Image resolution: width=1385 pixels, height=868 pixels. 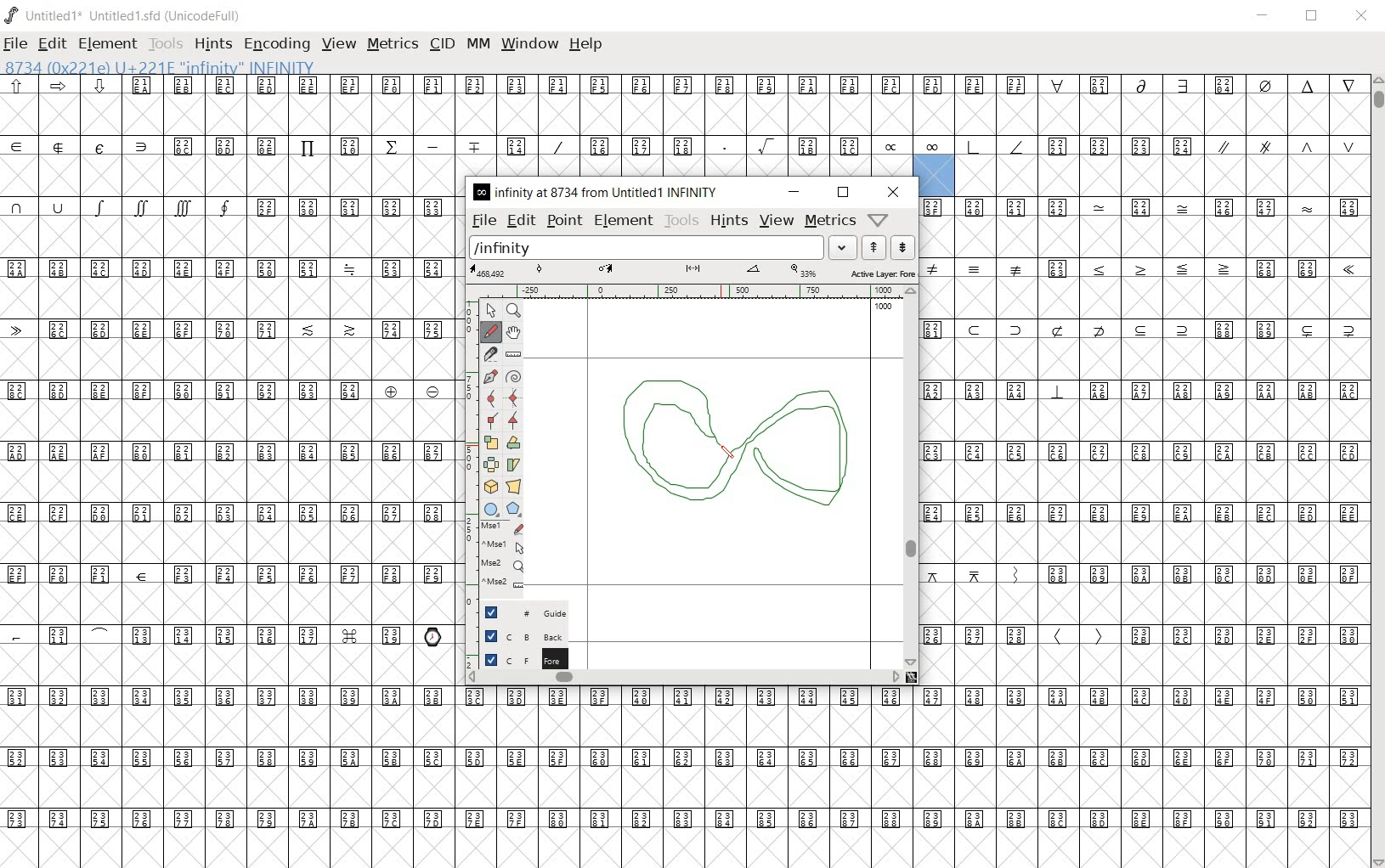 What do you see at coordinates (229, 298) in the screenshot?
I see `empty glyph slots` at bounding box center [229, 298].